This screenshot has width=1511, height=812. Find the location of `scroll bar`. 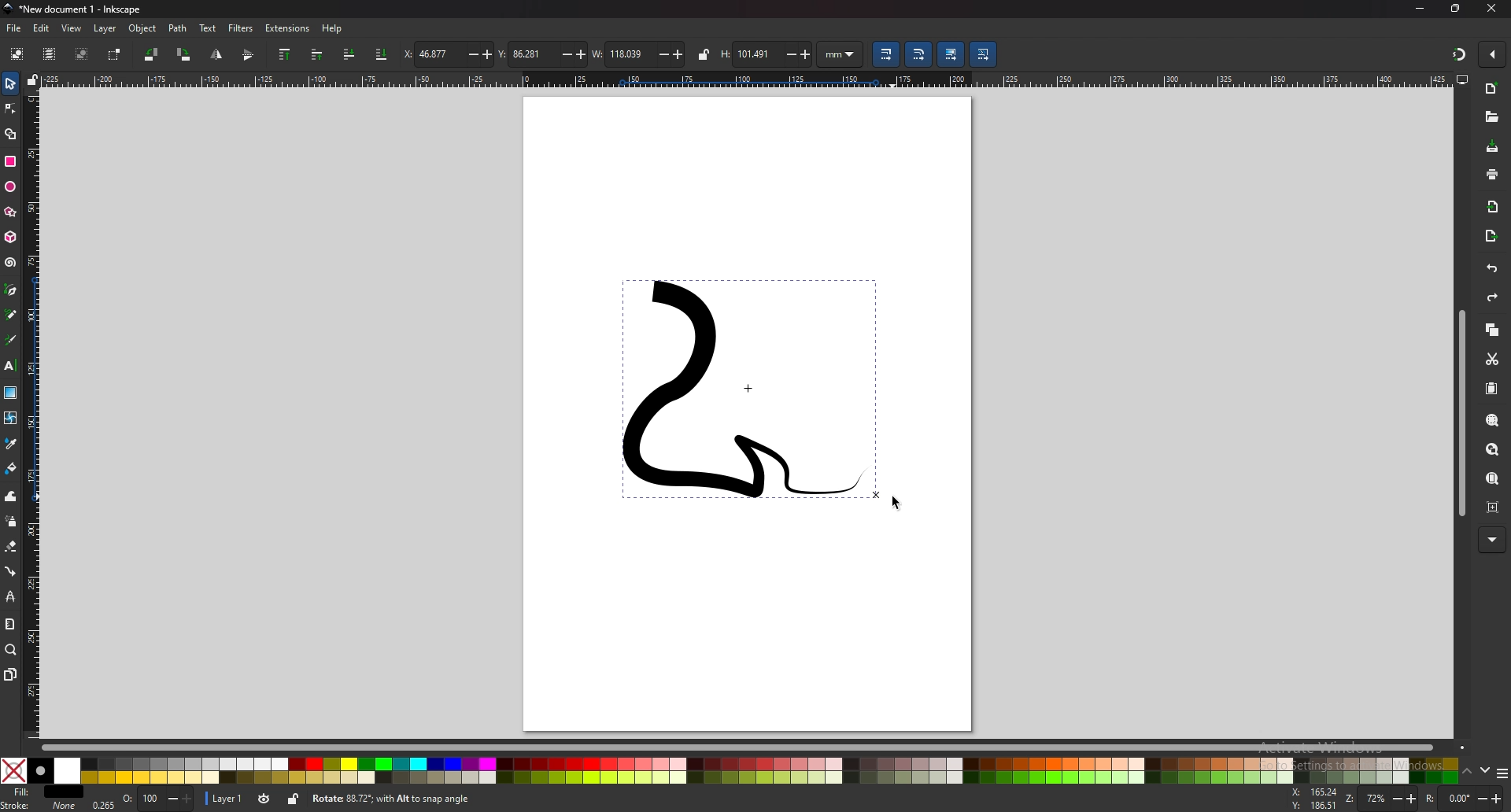

scroll bar is located at coordinates (755, 745).